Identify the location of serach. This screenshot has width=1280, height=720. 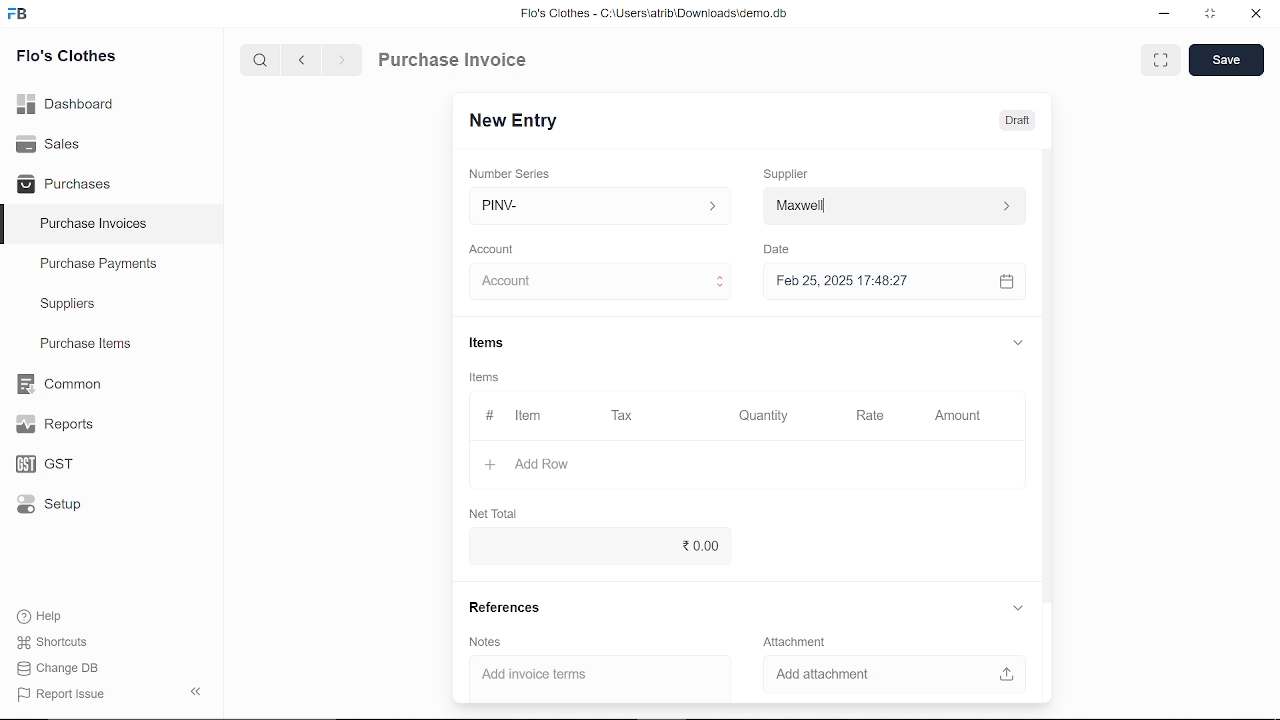
(258, 61).